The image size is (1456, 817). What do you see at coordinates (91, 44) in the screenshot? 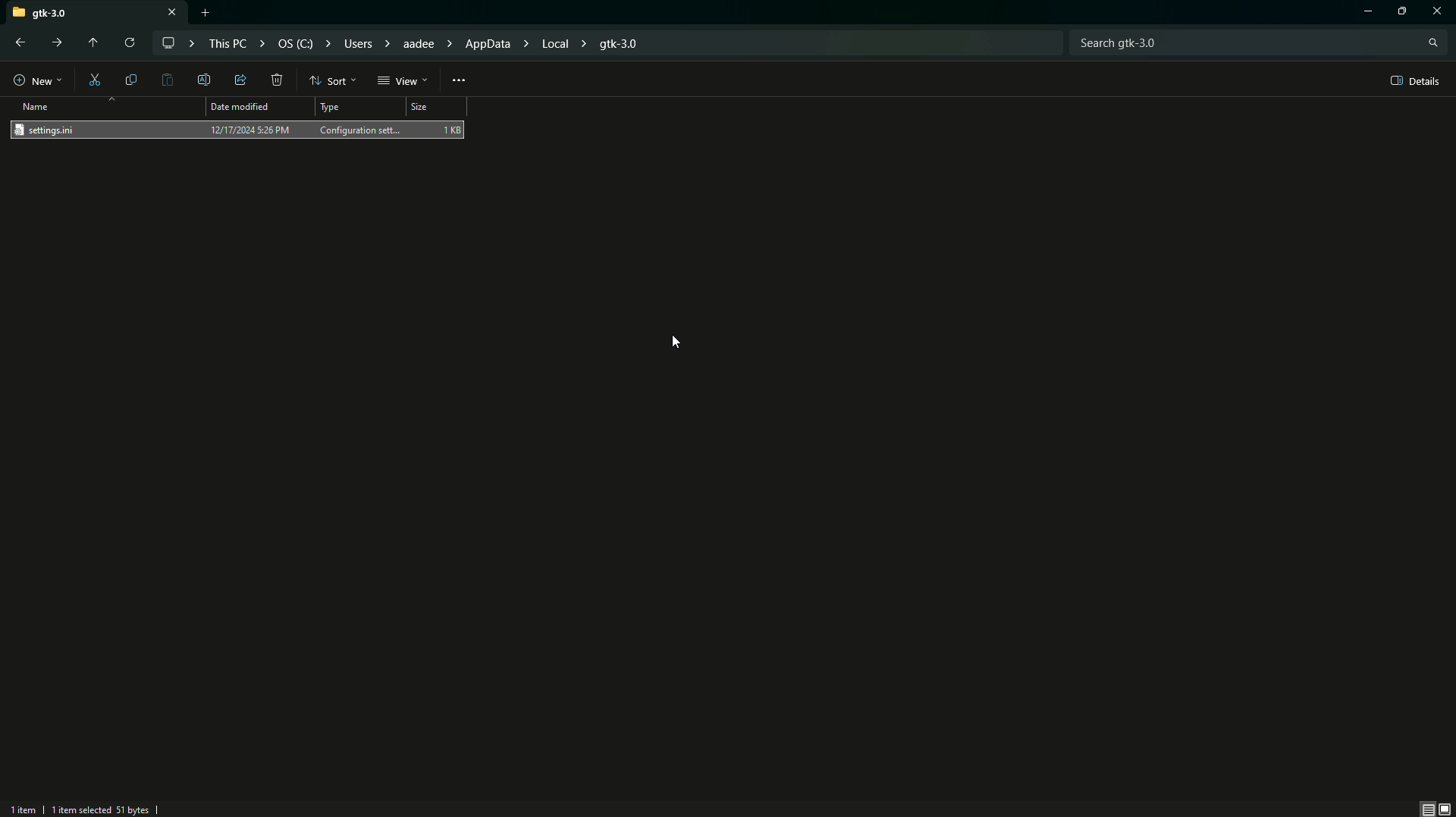
I see `Move up` at bounding box center [91, 44].